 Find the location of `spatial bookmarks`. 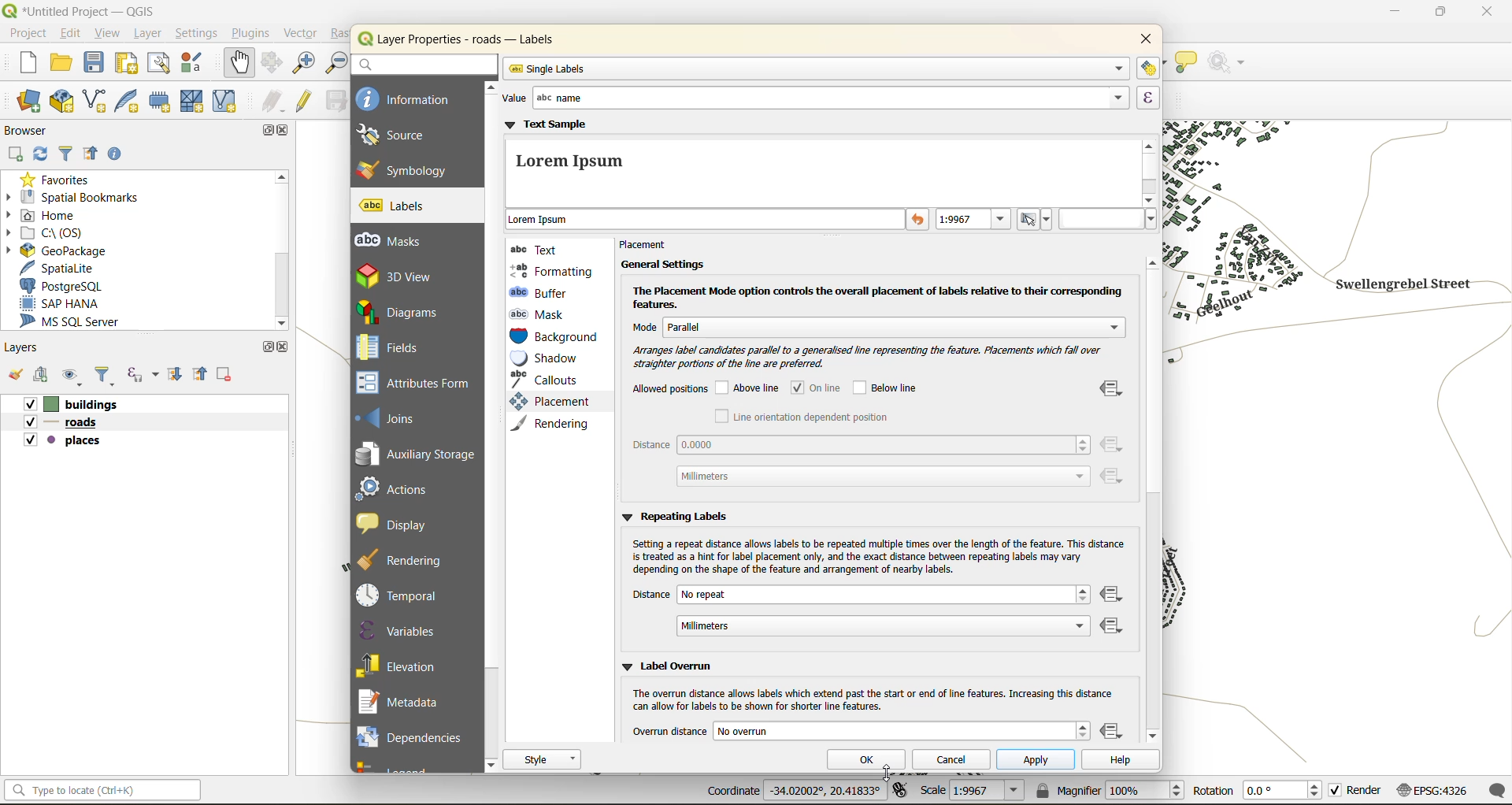

spatial bookmarks is located at coordinates (86, 199).